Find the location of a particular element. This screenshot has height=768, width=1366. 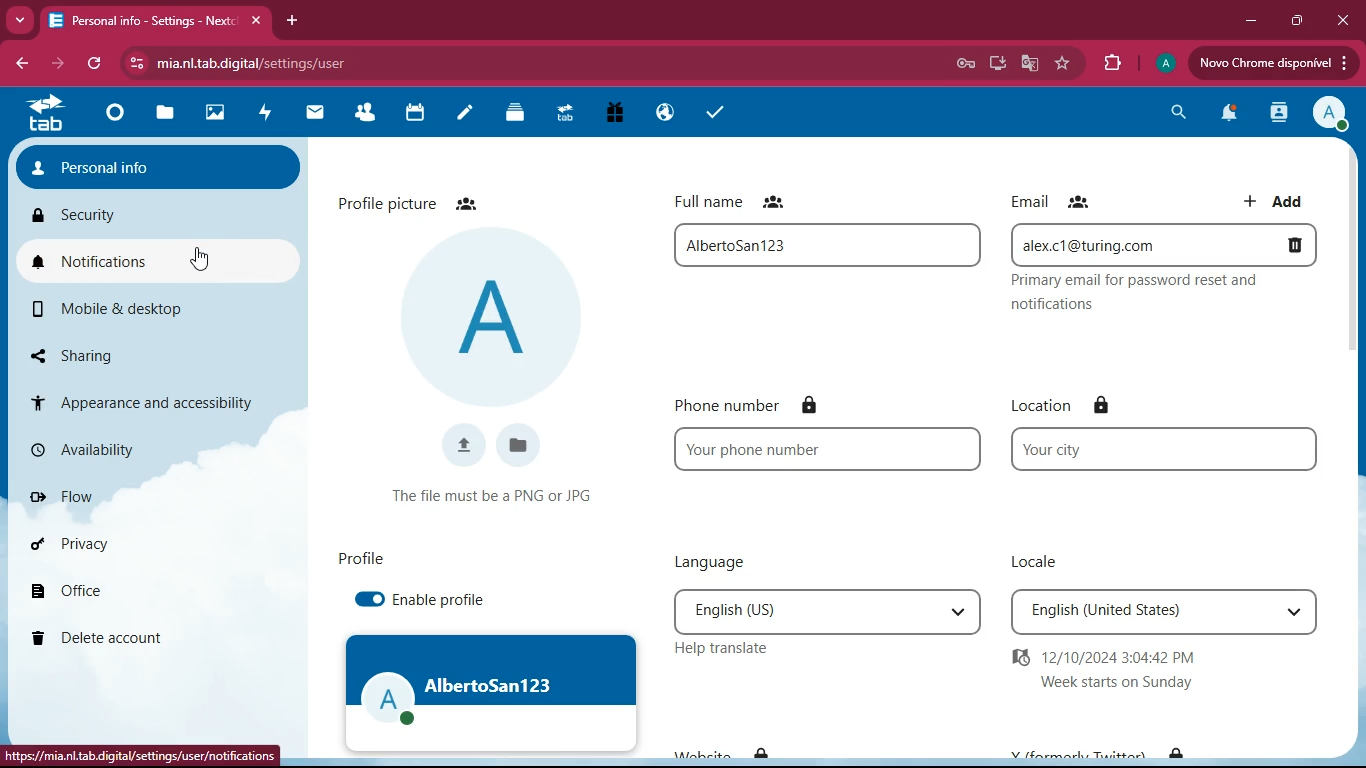

office is located at coordinates (119, 590).